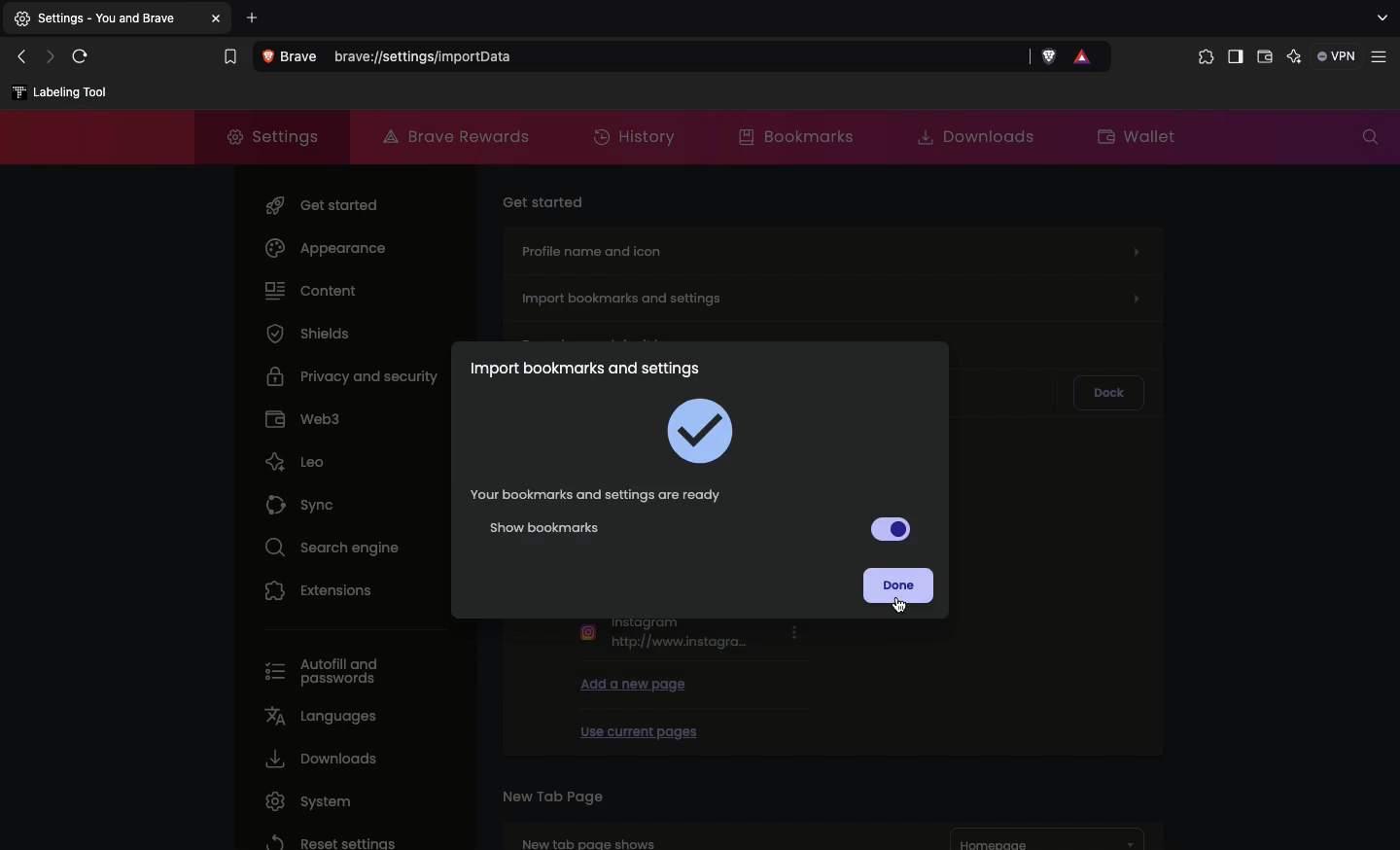 This screenshot has width=1400, height=850. I want to click on Click to go back, hold to see history, so click(20, 57).